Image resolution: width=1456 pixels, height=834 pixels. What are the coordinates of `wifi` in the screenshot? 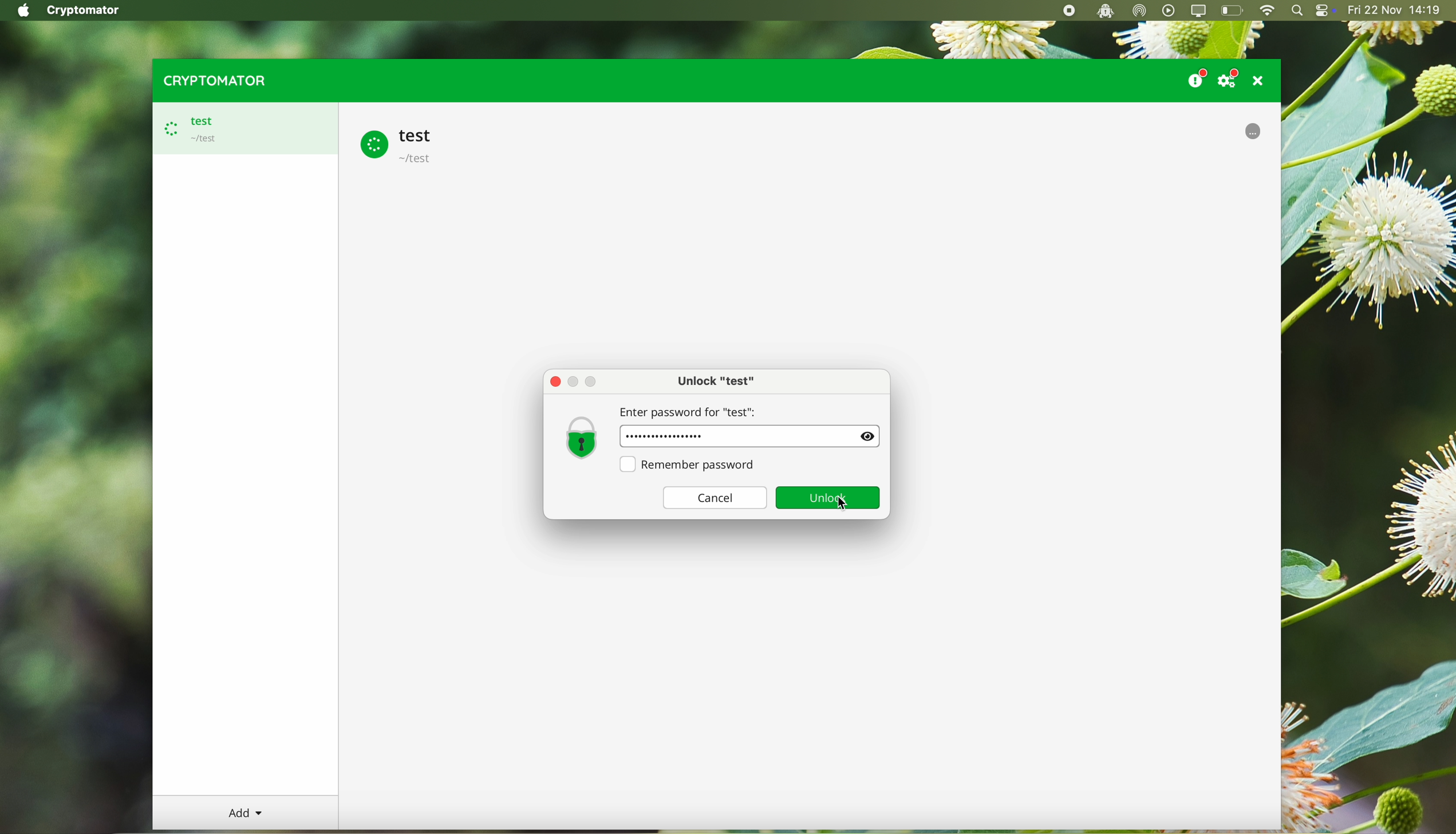 It's located at (1266, 11).